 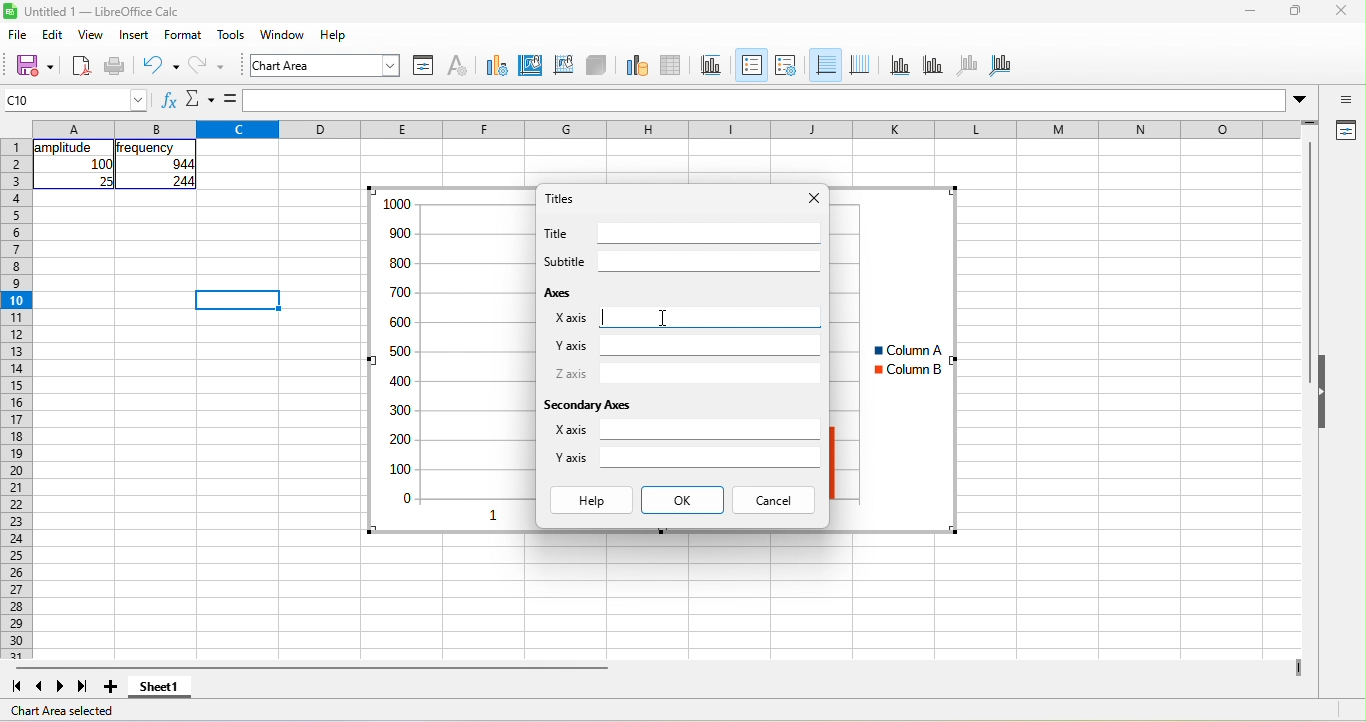 What do you see at coordinates (894, 359) in the screenshot?
I see `Column chart` at bounding box center [894, 359].